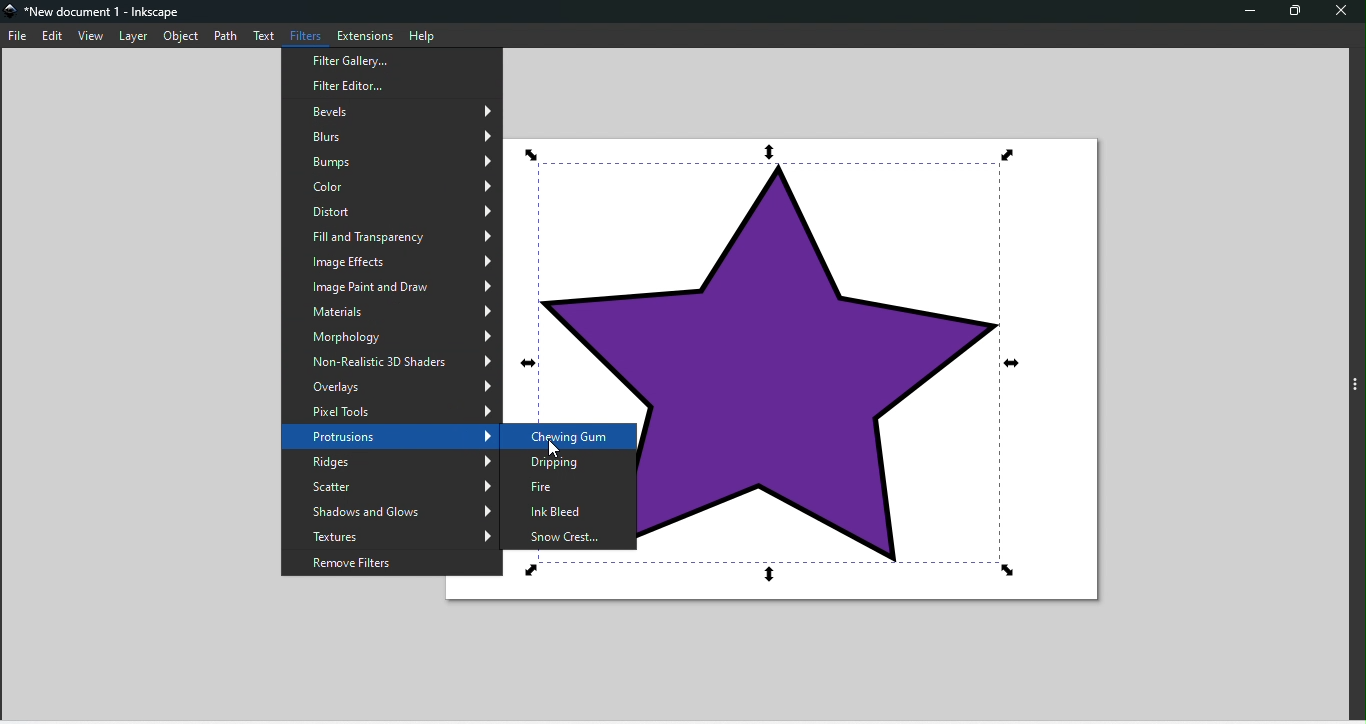 The image size is (1366, 724). What do you see at coordinates (390, 484) in the screenshot?
I see `Scatter` at bounding box center [390, 484].